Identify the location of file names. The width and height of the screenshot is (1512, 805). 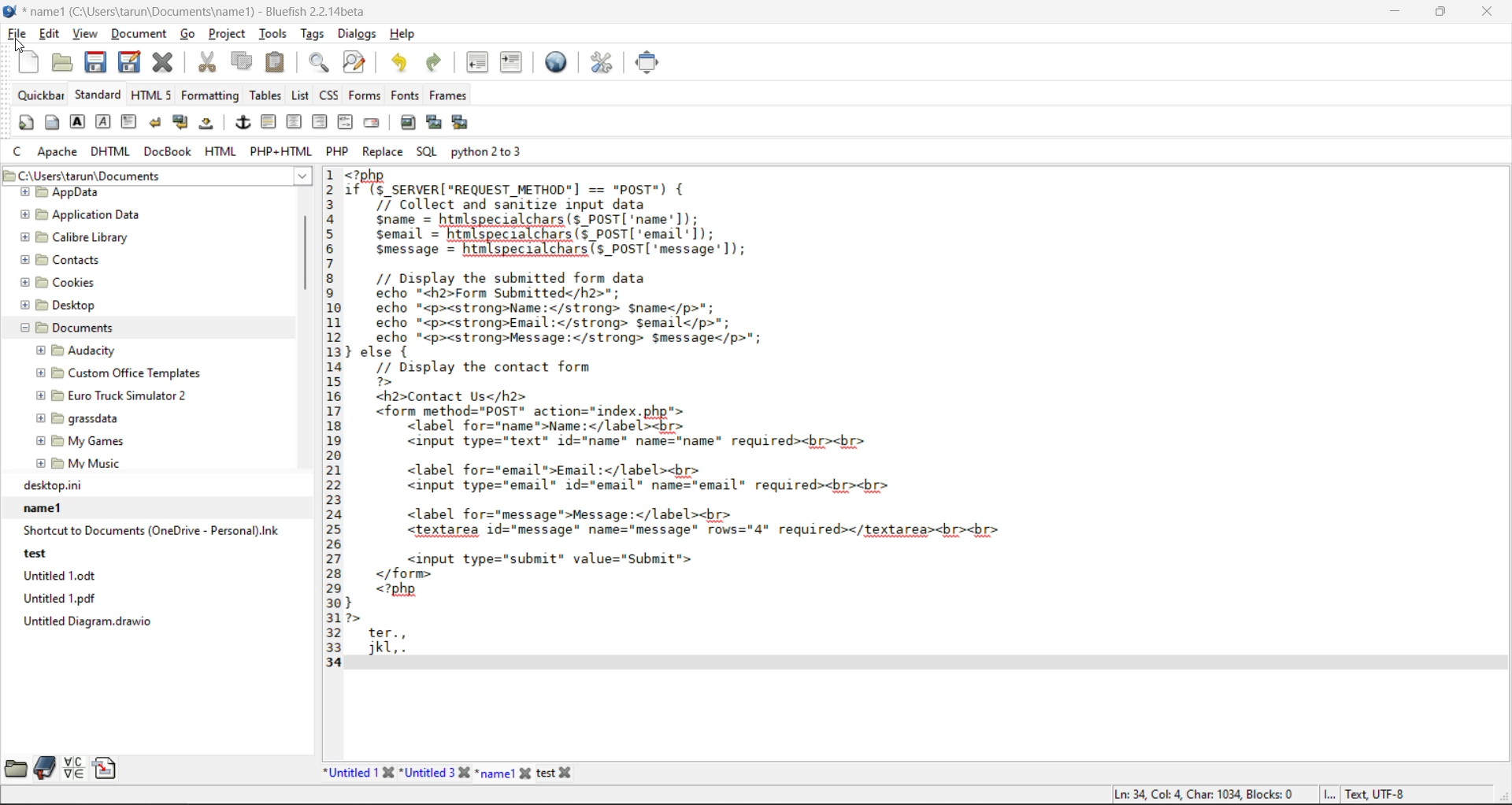
(452, 773).